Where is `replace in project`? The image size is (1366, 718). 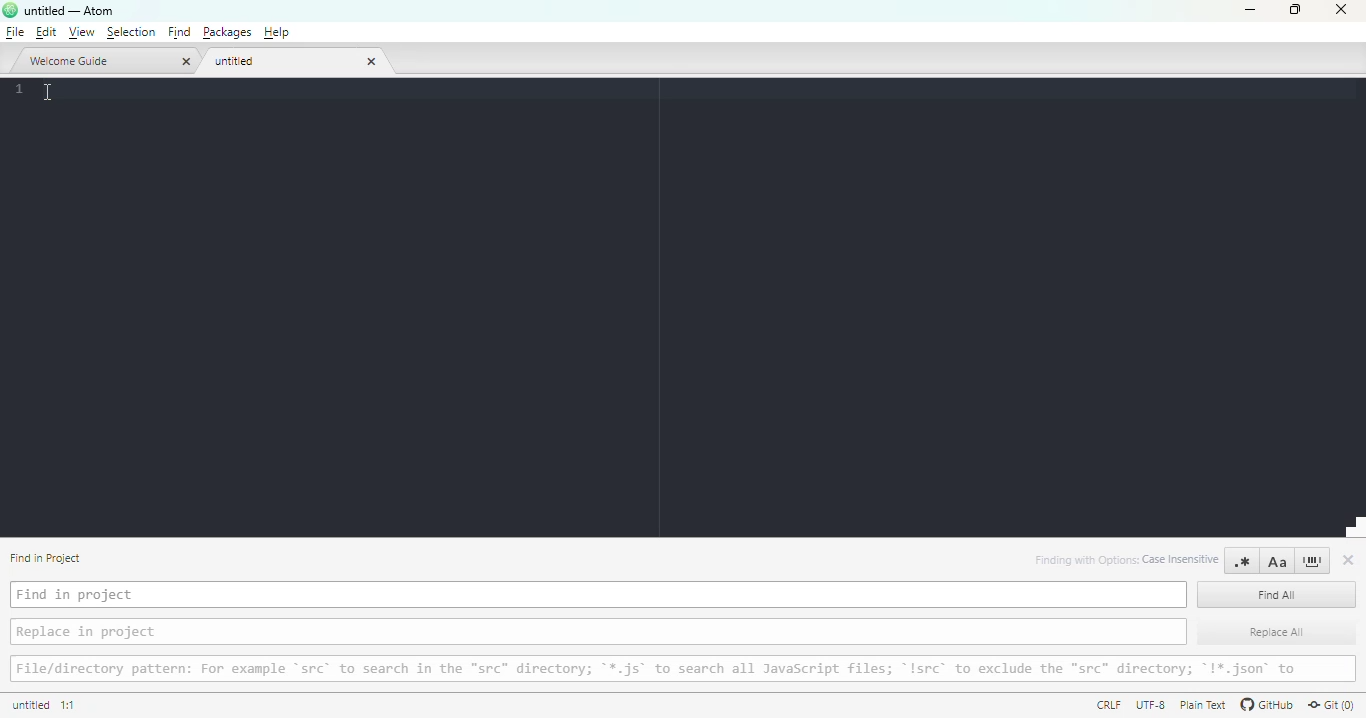 replace in project is located at coordinates (599, 631).